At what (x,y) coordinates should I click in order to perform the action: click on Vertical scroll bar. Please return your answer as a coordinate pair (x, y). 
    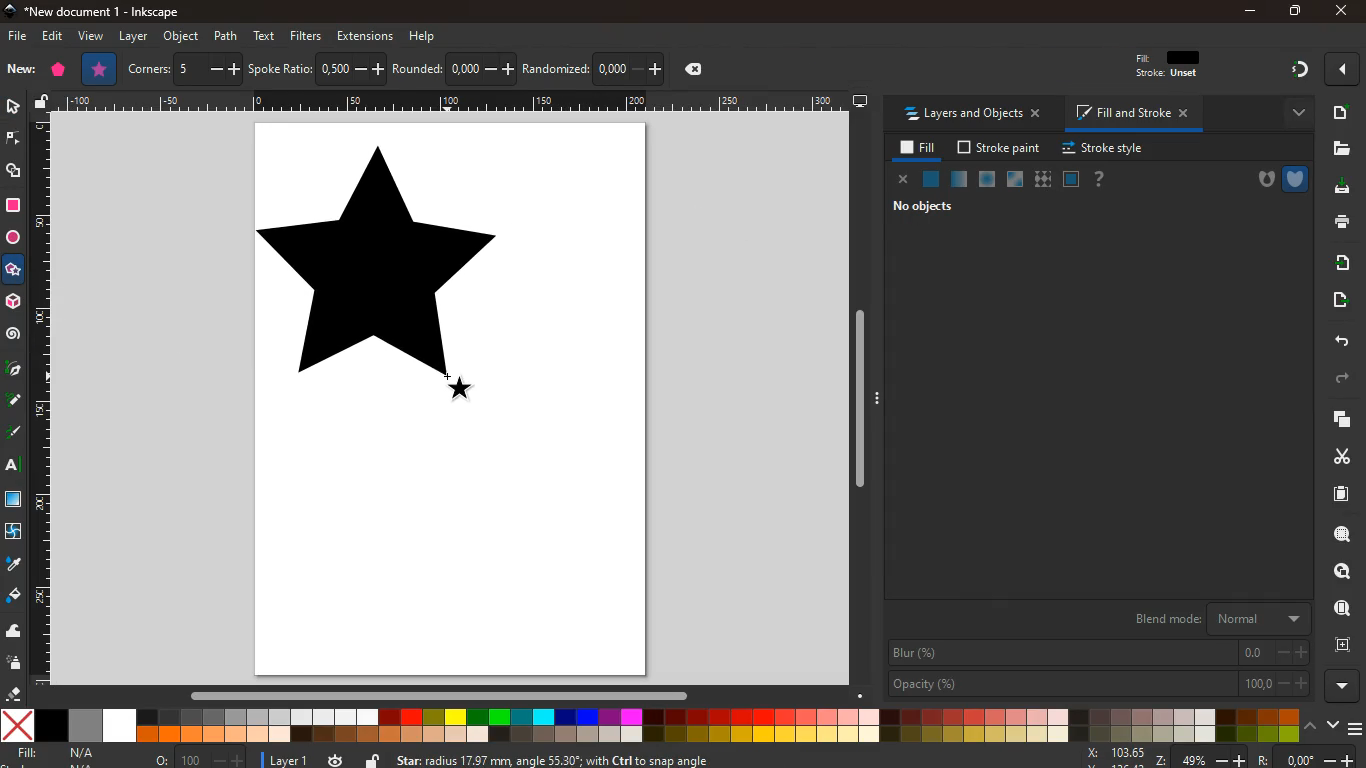
    Looking at the image, I should click on (863, 402).